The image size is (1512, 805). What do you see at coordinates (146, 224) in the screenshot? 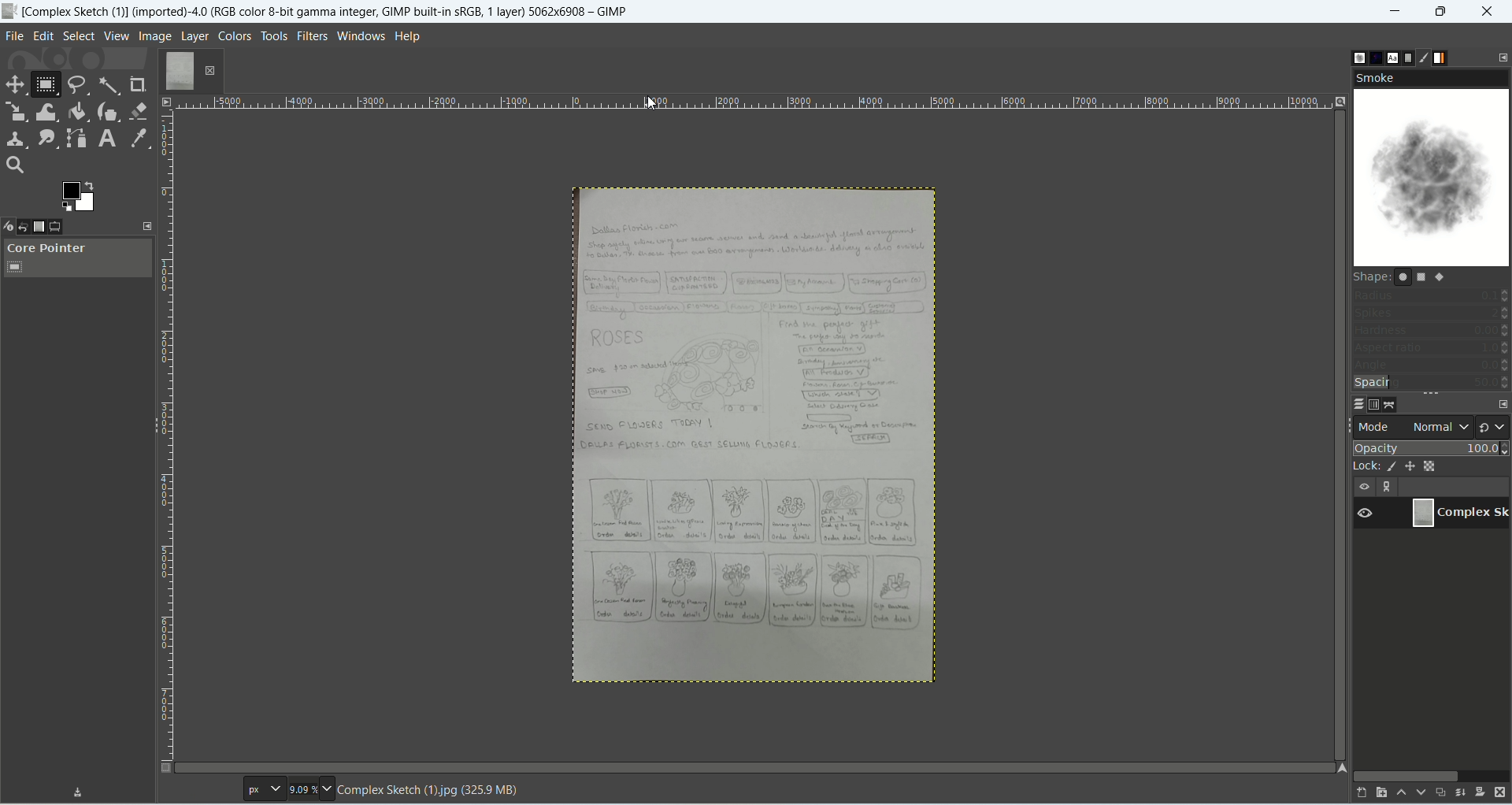
I see `configure this tab` at bounding box center [146, 224].